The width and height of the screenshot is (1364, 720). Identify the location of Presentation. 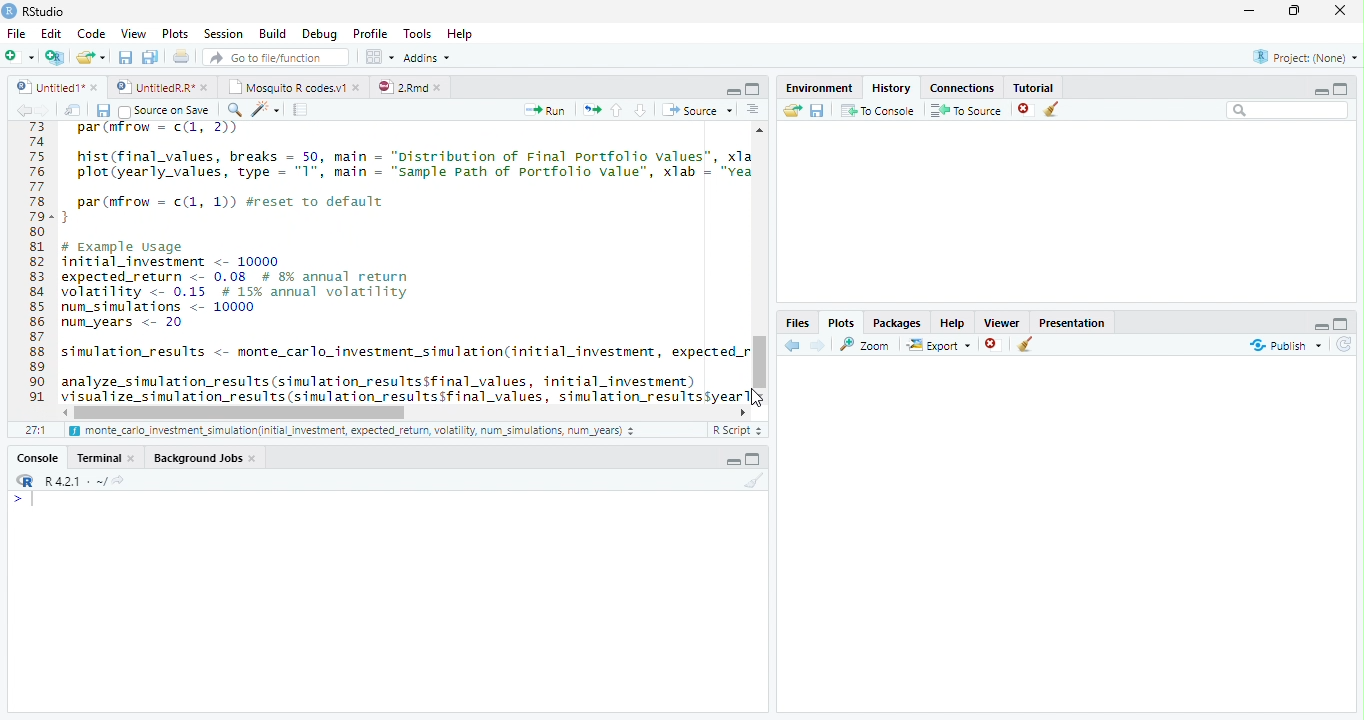
(1072, 321).